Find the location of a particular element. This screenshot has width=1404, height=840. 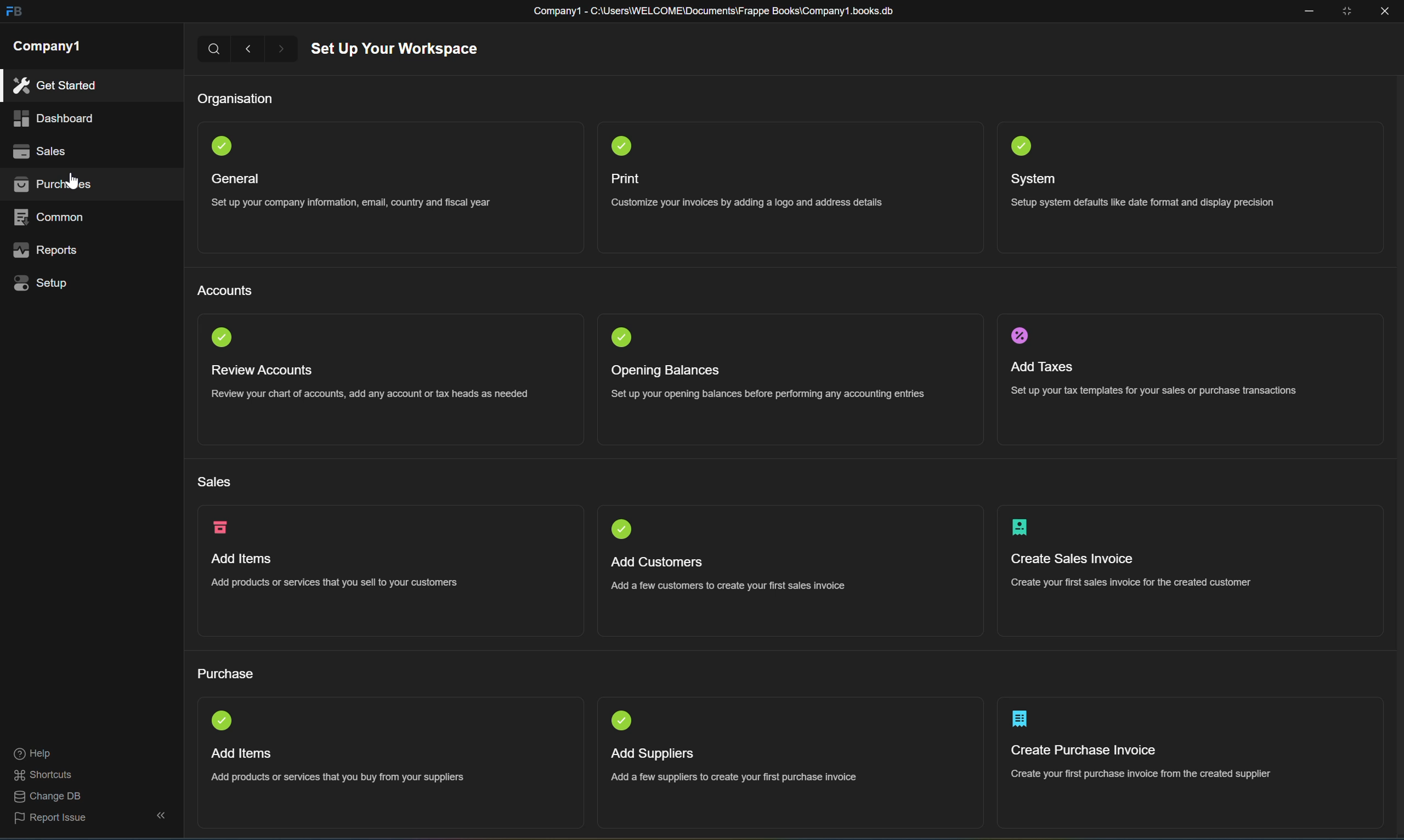

add products or services that you sell to your customers is located at coordinates (332, 584).